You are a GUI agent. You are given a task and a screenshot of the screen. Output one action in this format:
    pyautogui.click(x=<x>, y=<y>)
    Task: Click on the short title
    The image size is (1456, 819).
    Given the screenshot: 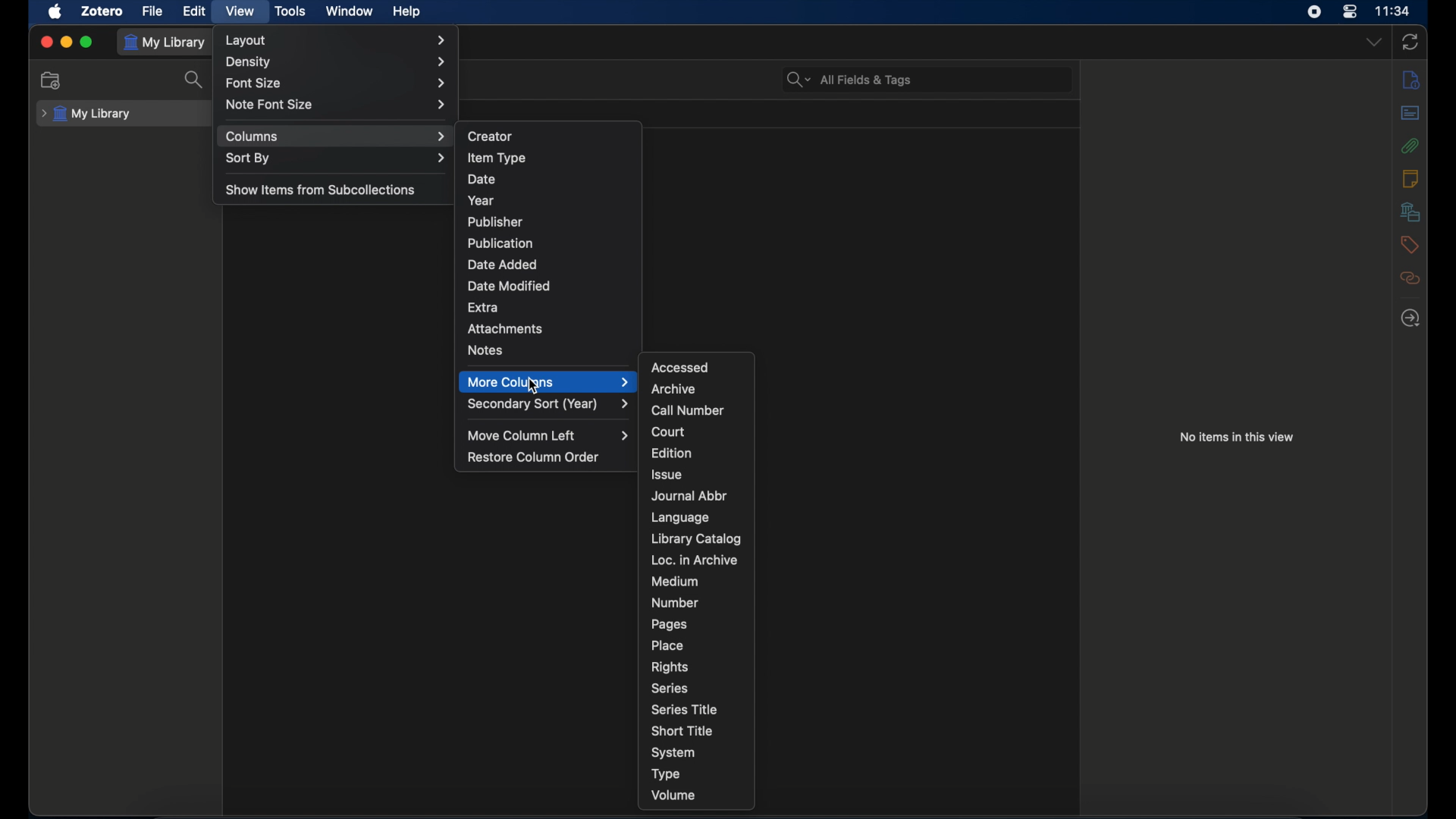 What is the action you would take?
    pyautogui.click(x=682, y=731)
    